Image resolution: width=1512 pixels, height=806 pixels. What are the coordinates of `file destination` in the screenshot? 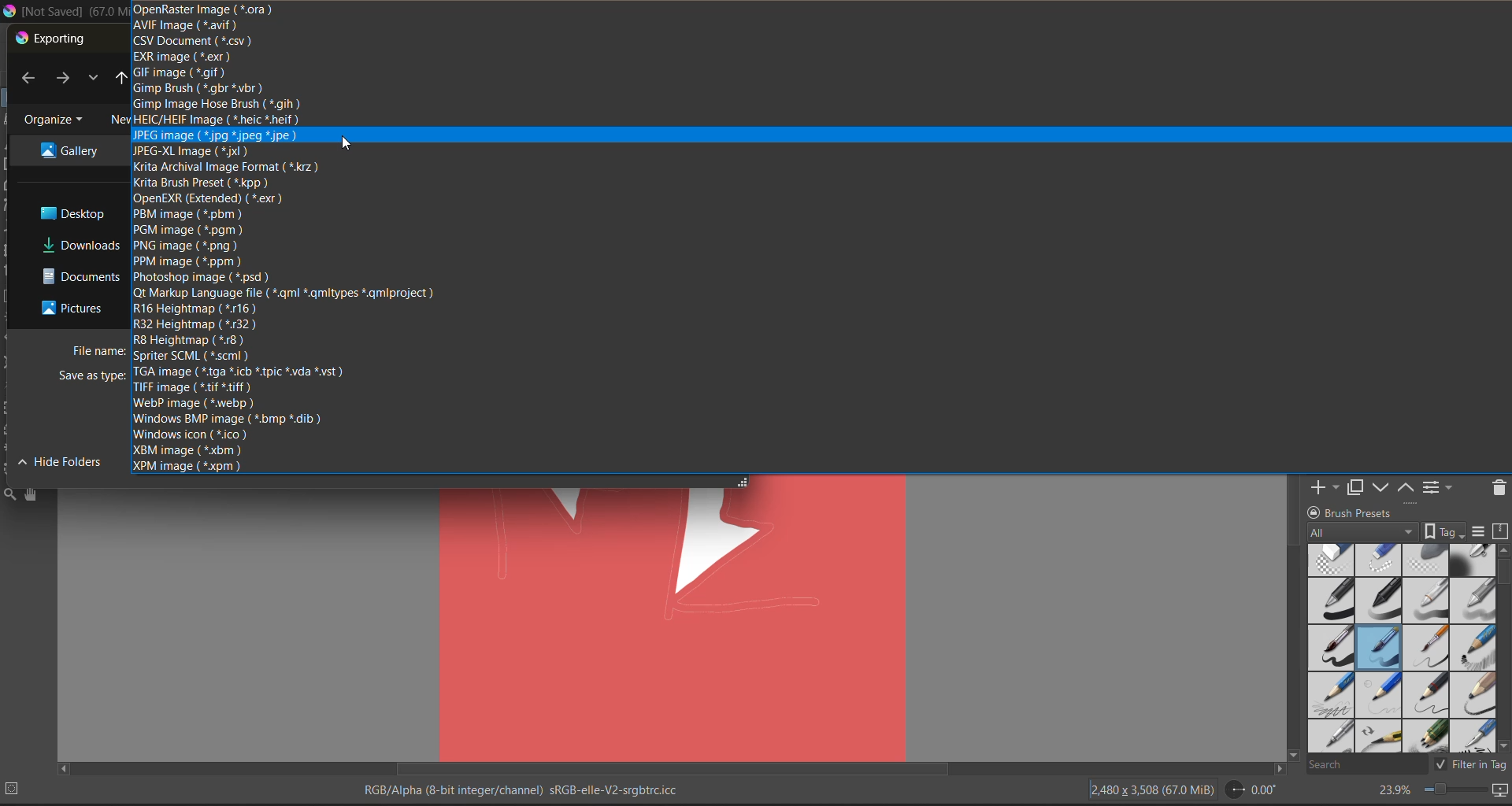 It's located at (76, 213).